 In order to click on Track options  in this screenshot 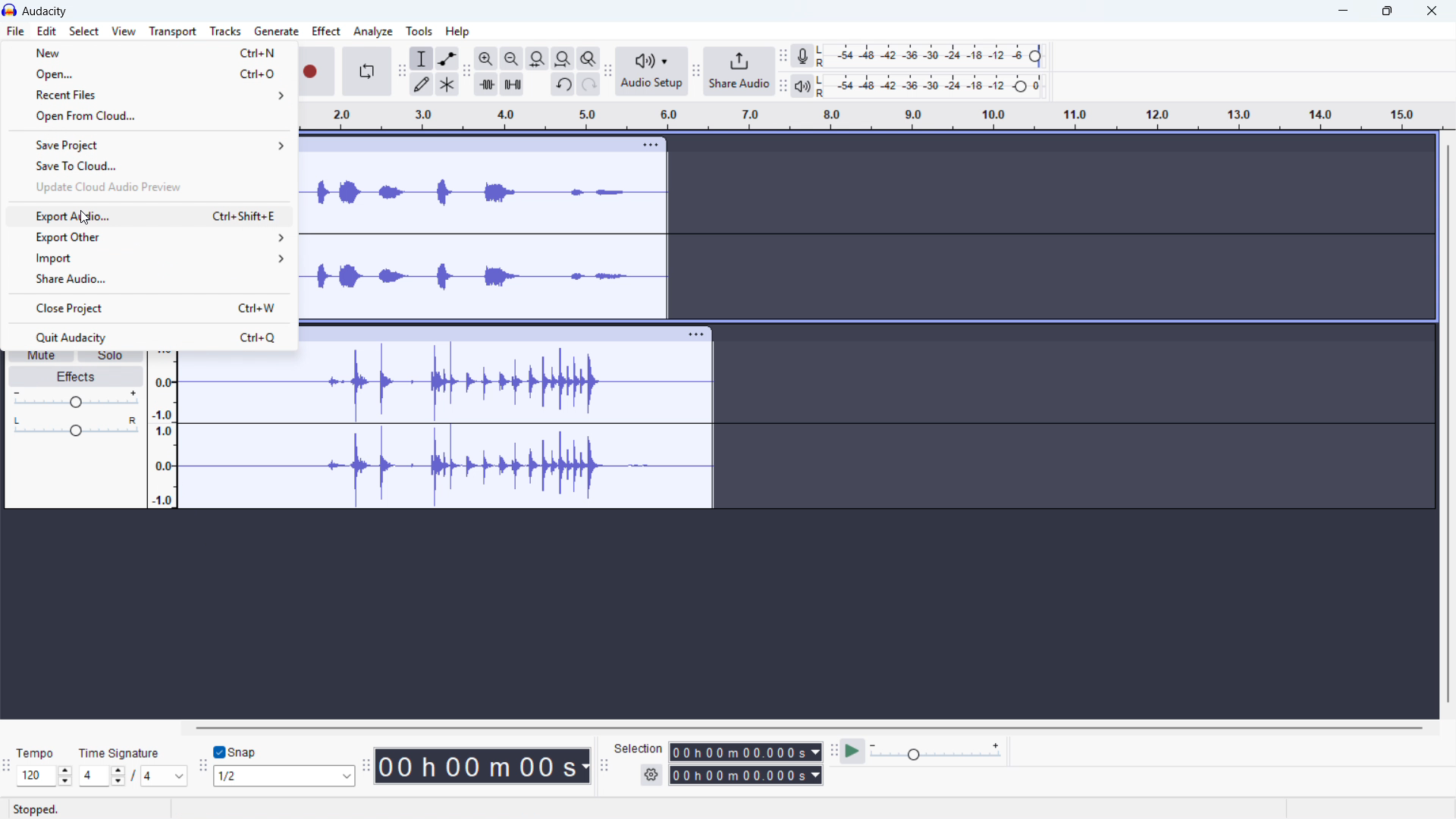, I will do `click(695, 334)`.